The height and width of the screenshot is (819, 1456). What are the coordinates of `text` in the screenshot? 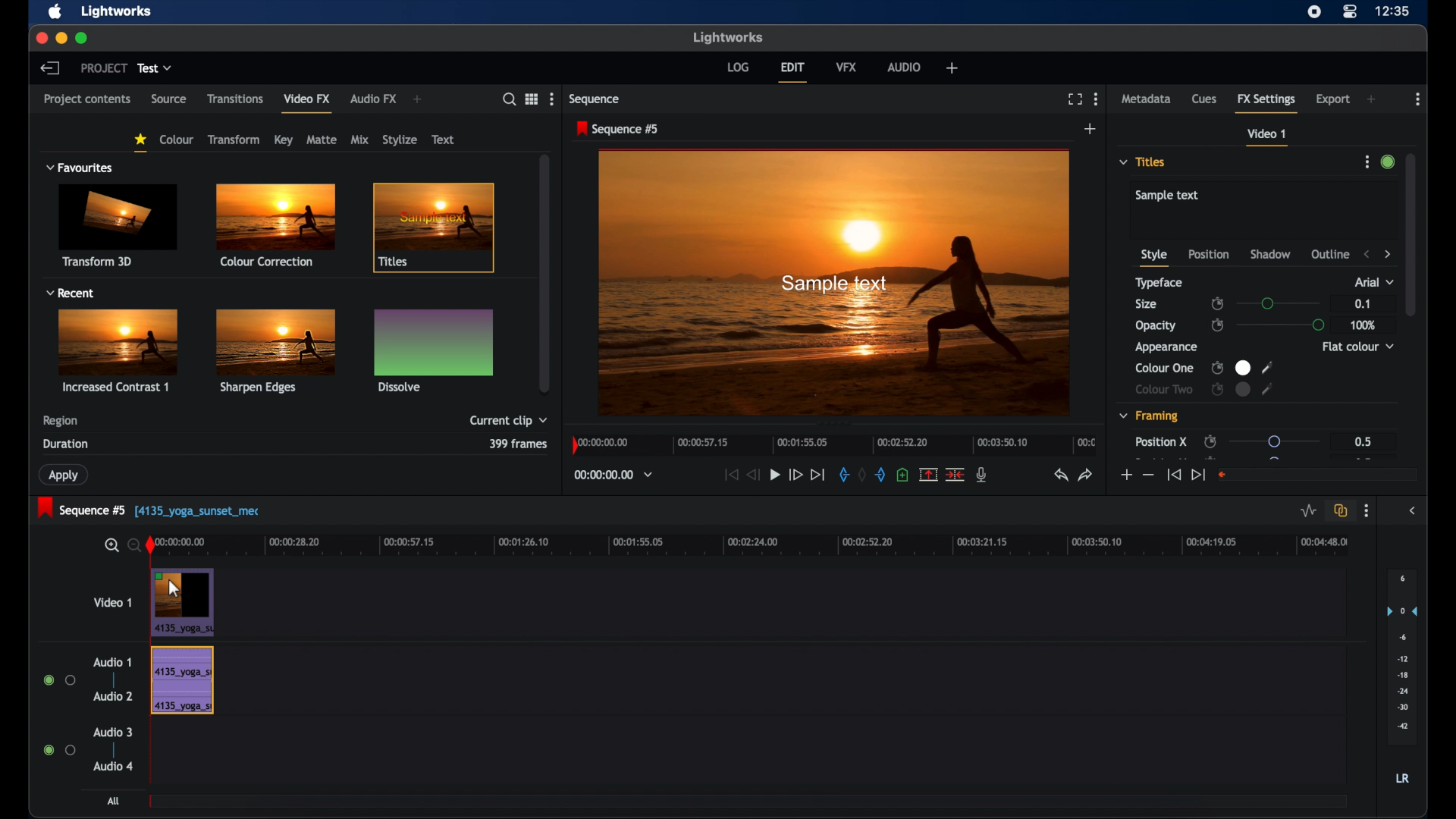 It's located at (443, 140).